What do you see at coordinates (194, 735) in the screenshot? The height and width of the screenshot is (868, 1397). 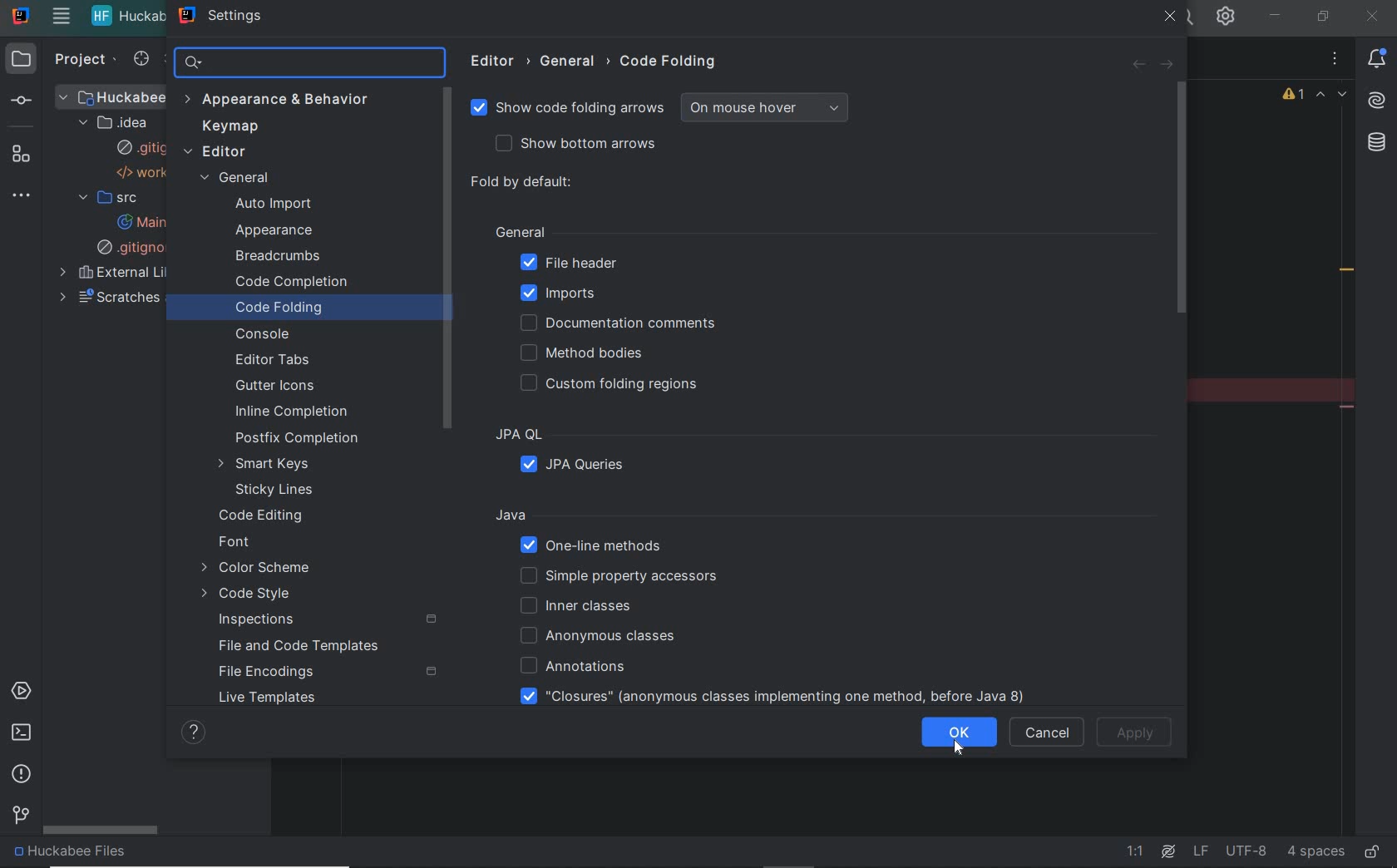 I see `SHOW HELP CONTENTS` at bounding box center [194, 735].